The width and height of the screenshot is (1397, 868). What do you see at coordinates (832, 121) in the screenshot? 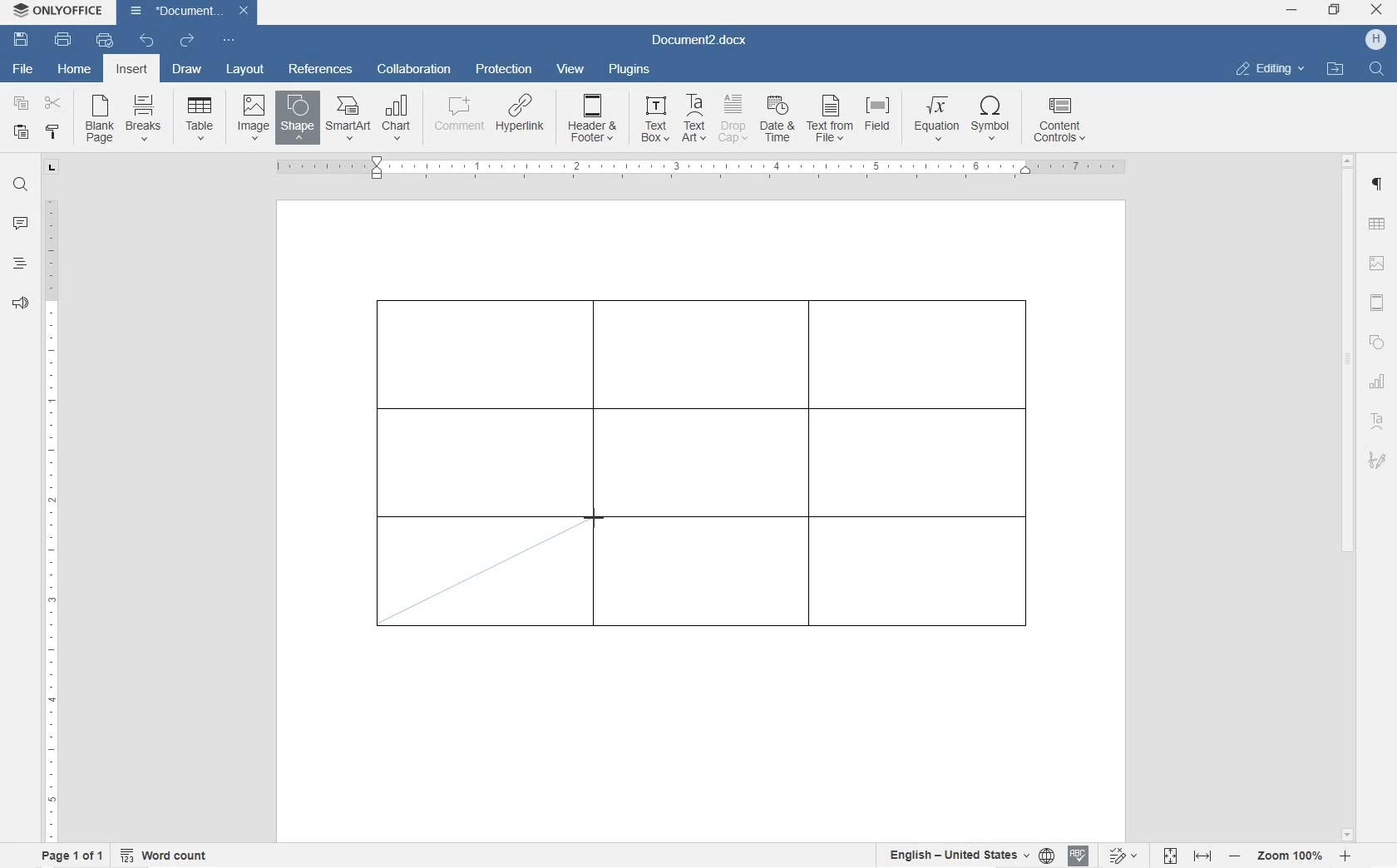
I see `TEXT FROM FILE` at bounding box center [832, 121].